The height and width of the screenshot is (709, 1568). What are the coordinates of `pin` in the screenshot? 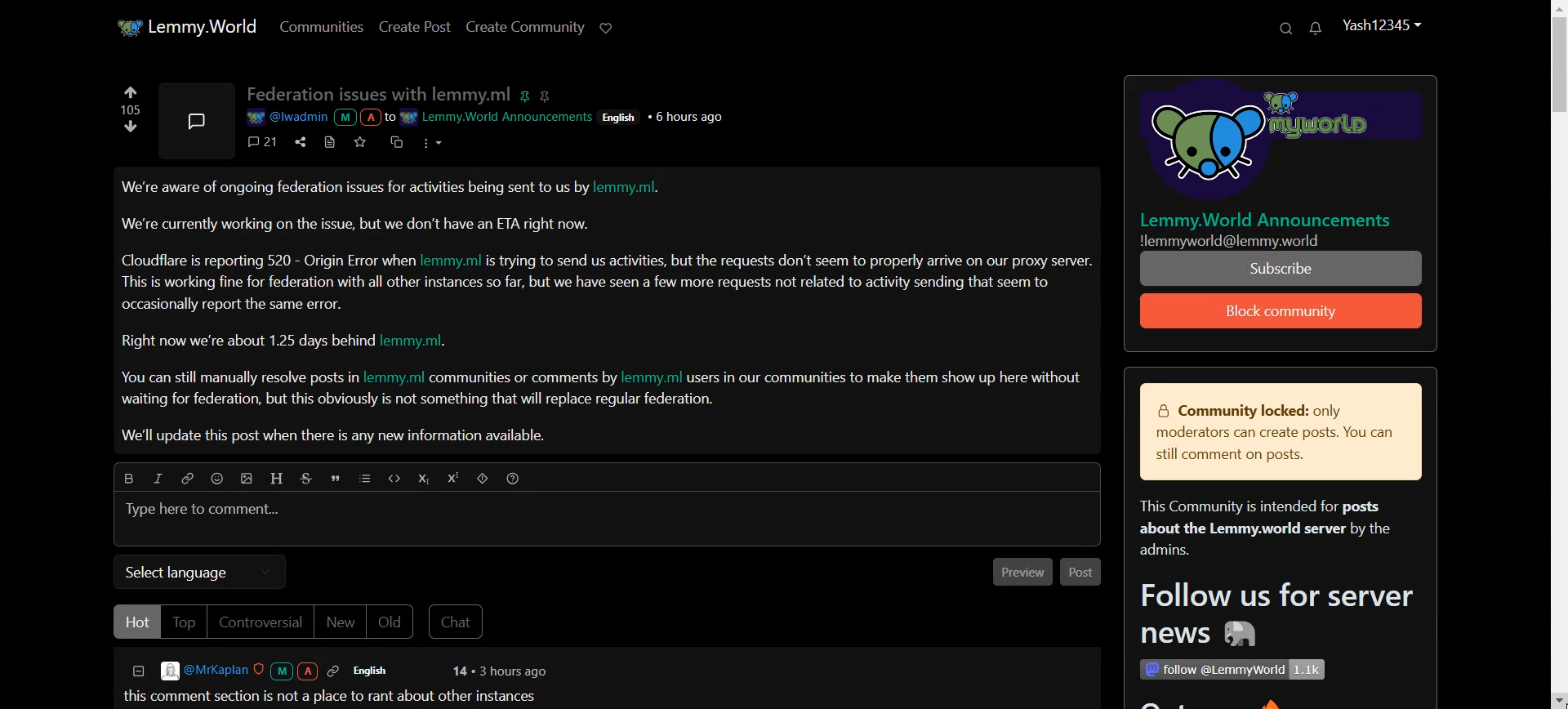 It's located at (550, 97).